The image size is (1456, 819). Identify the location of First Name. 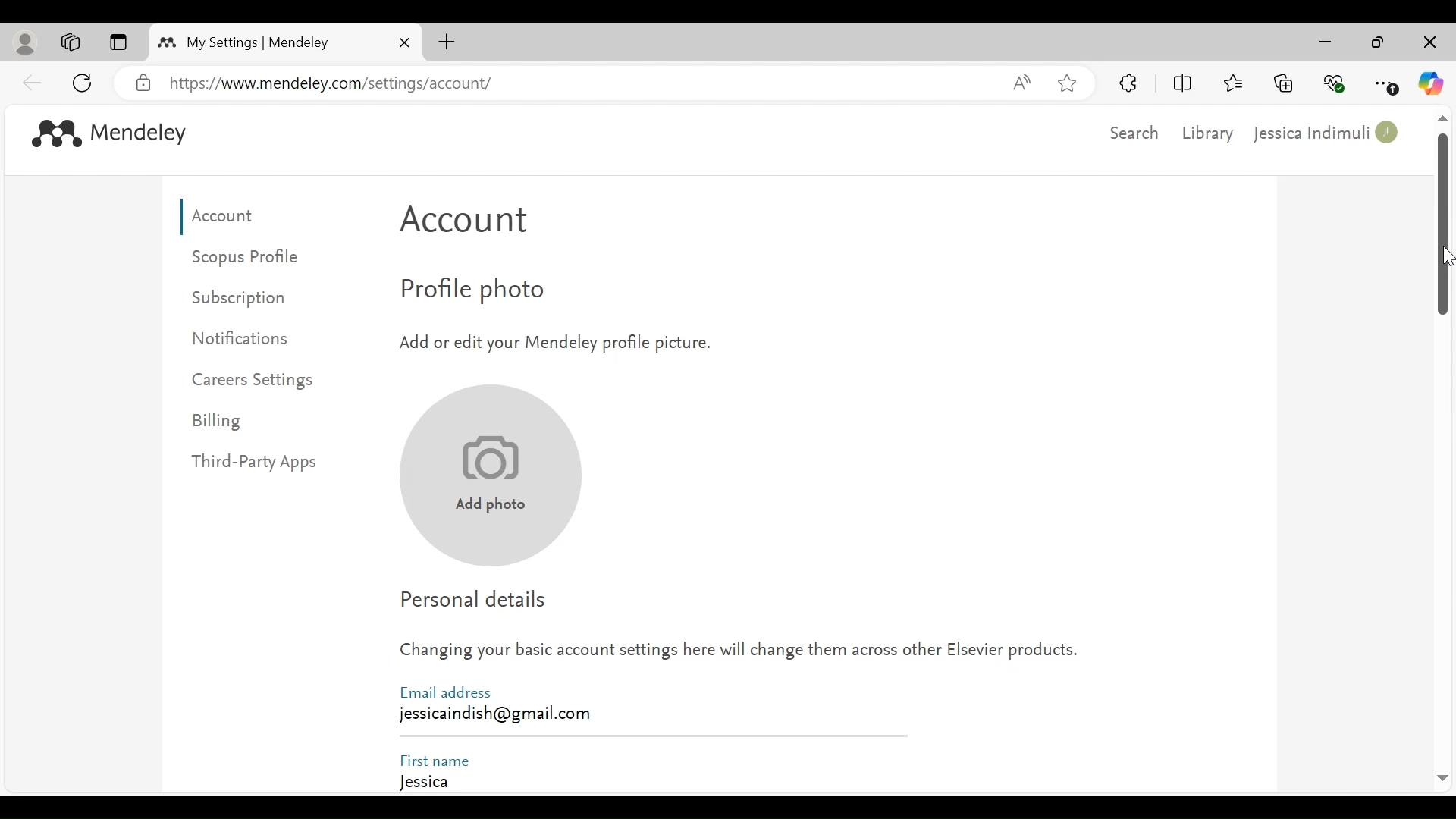
(436, 758).